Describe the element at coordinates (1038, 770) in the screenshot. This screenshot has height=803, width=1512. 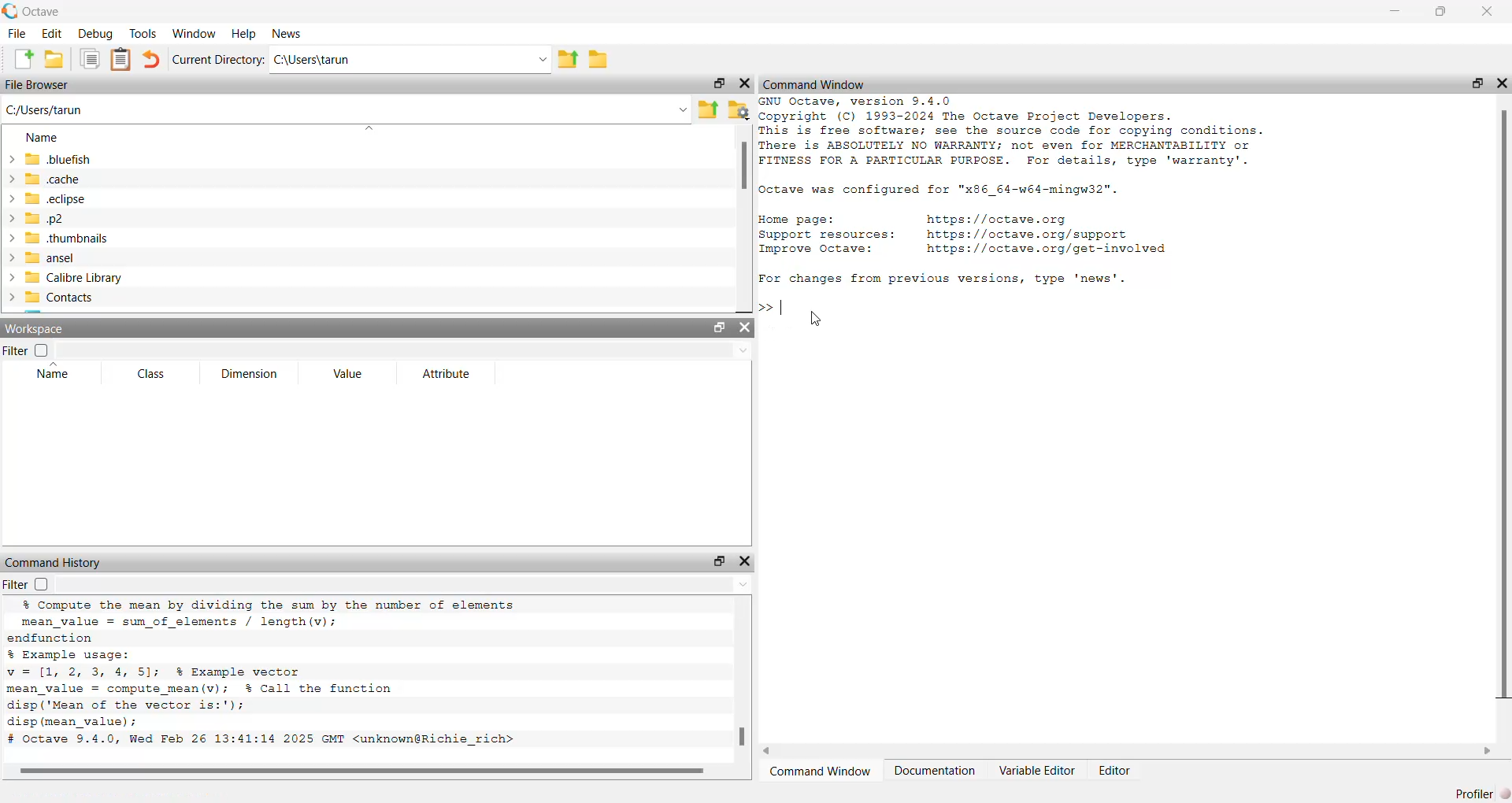
I see `Variable Editor` at that location.